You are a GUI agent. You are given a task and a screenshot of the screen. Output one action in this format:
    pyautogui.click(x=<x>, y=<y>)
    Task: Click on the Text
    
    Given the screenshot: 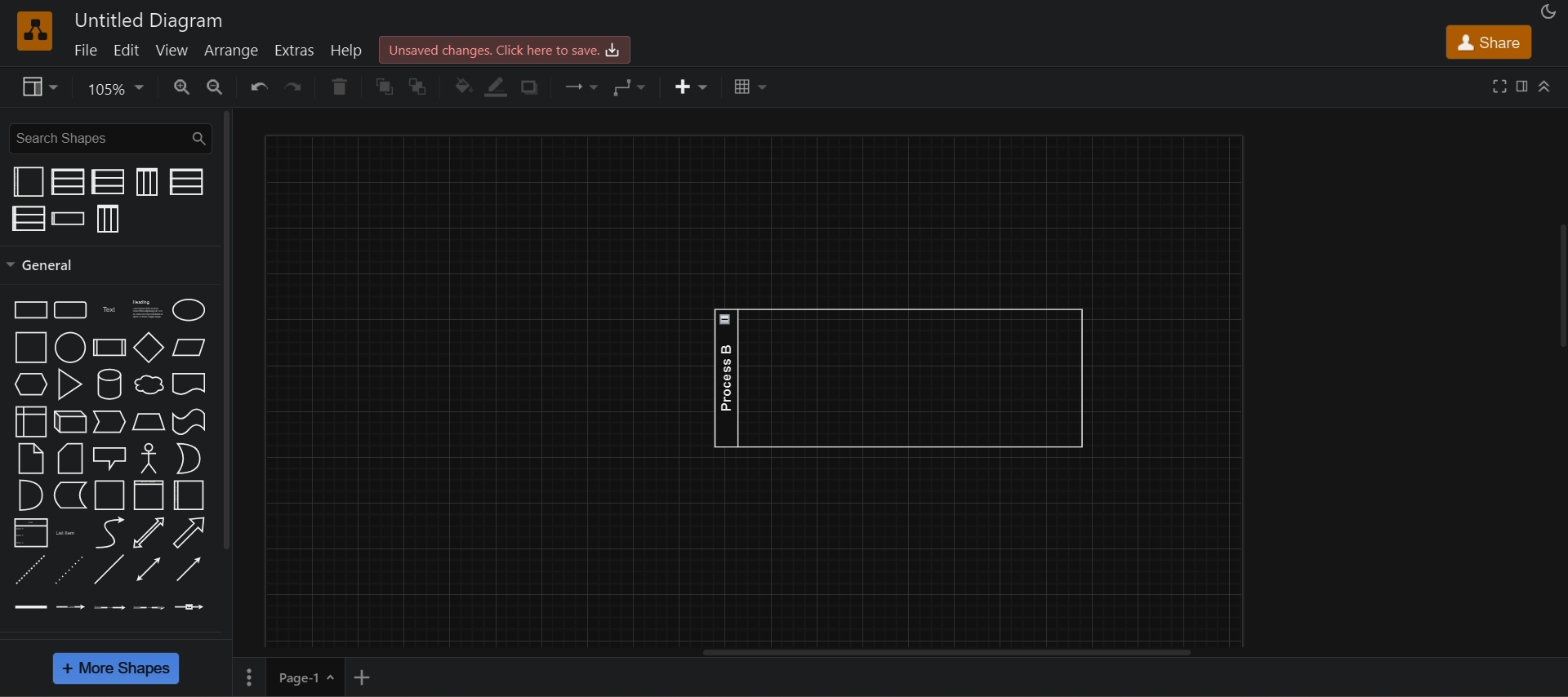 What is the action you would take?
    pyautogui.click(x=108, y=309)
    